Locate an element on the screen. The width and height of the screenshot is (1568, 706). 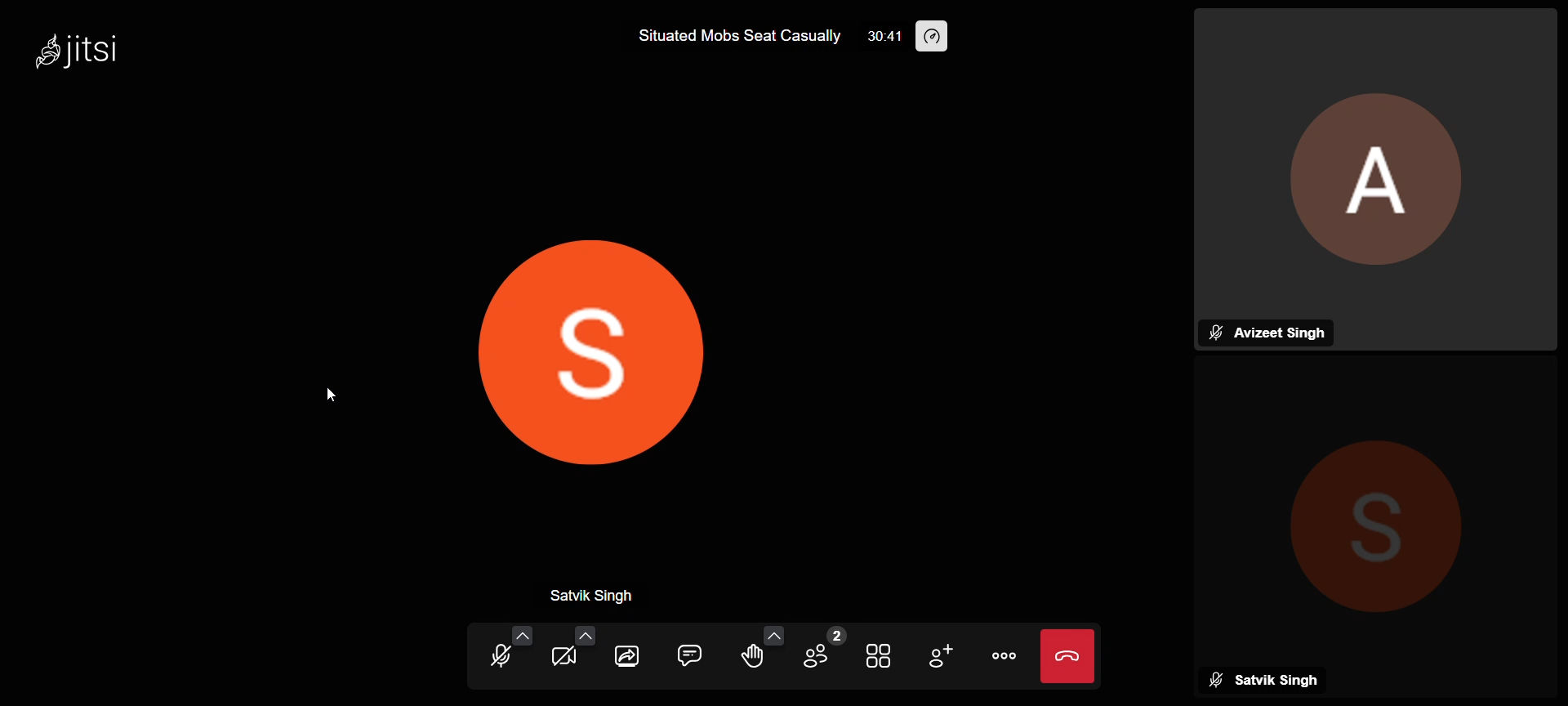
cursor is located at coordinates (331, 399).